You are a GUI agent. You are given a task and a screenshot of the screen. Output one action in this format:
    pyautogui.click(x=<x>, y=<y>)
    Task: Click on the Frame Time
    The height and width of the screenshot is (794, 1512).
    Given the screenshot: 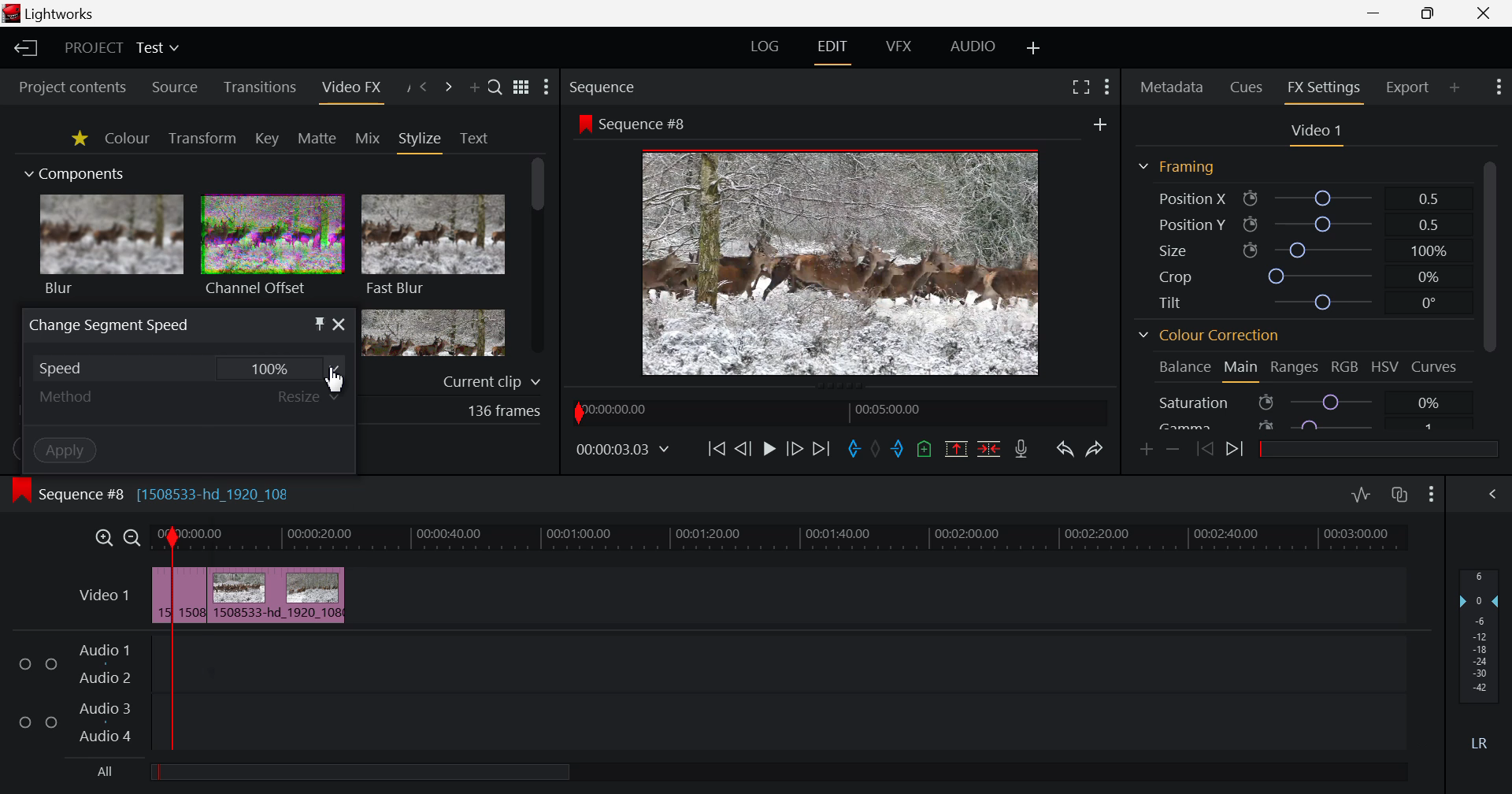 What is the action you would take?
    pyautogui.click(x=623, y=449)
    